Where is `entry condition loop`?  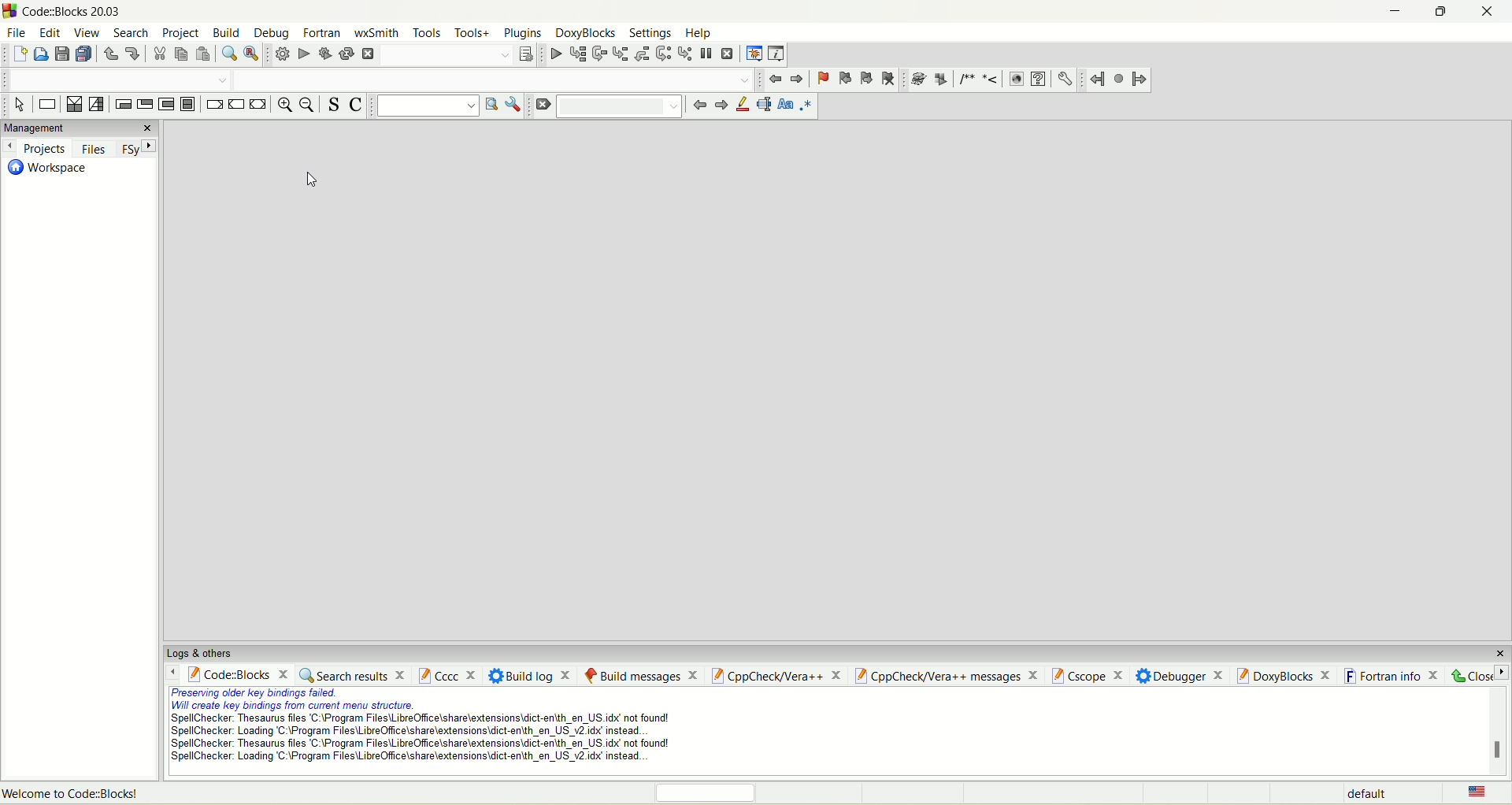
entry condition loop is located at coordinates (122, 104).